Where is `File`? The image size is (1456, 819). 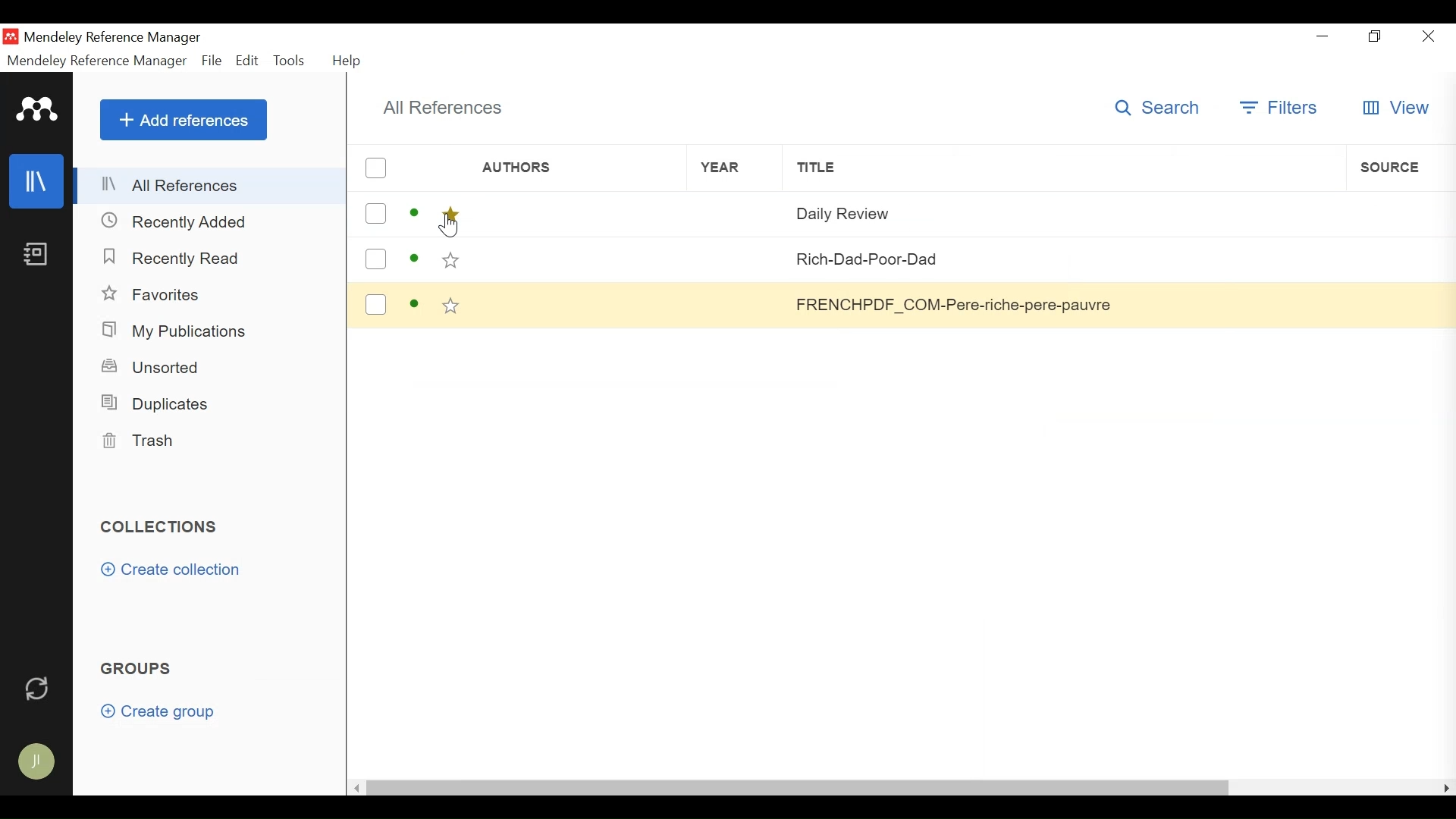 File is located at coordinates (212, 60).